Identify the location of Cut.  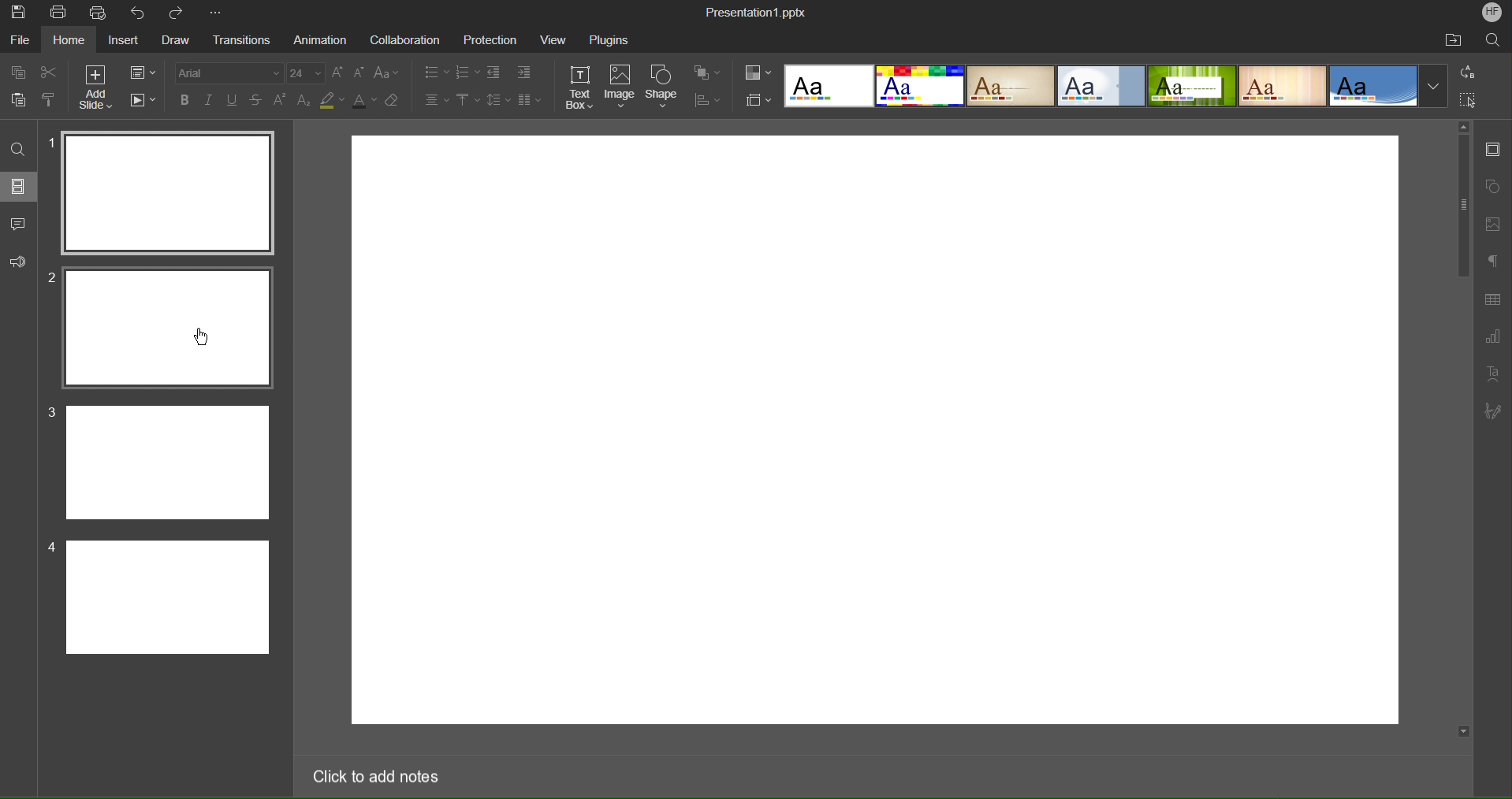
(51, 71).